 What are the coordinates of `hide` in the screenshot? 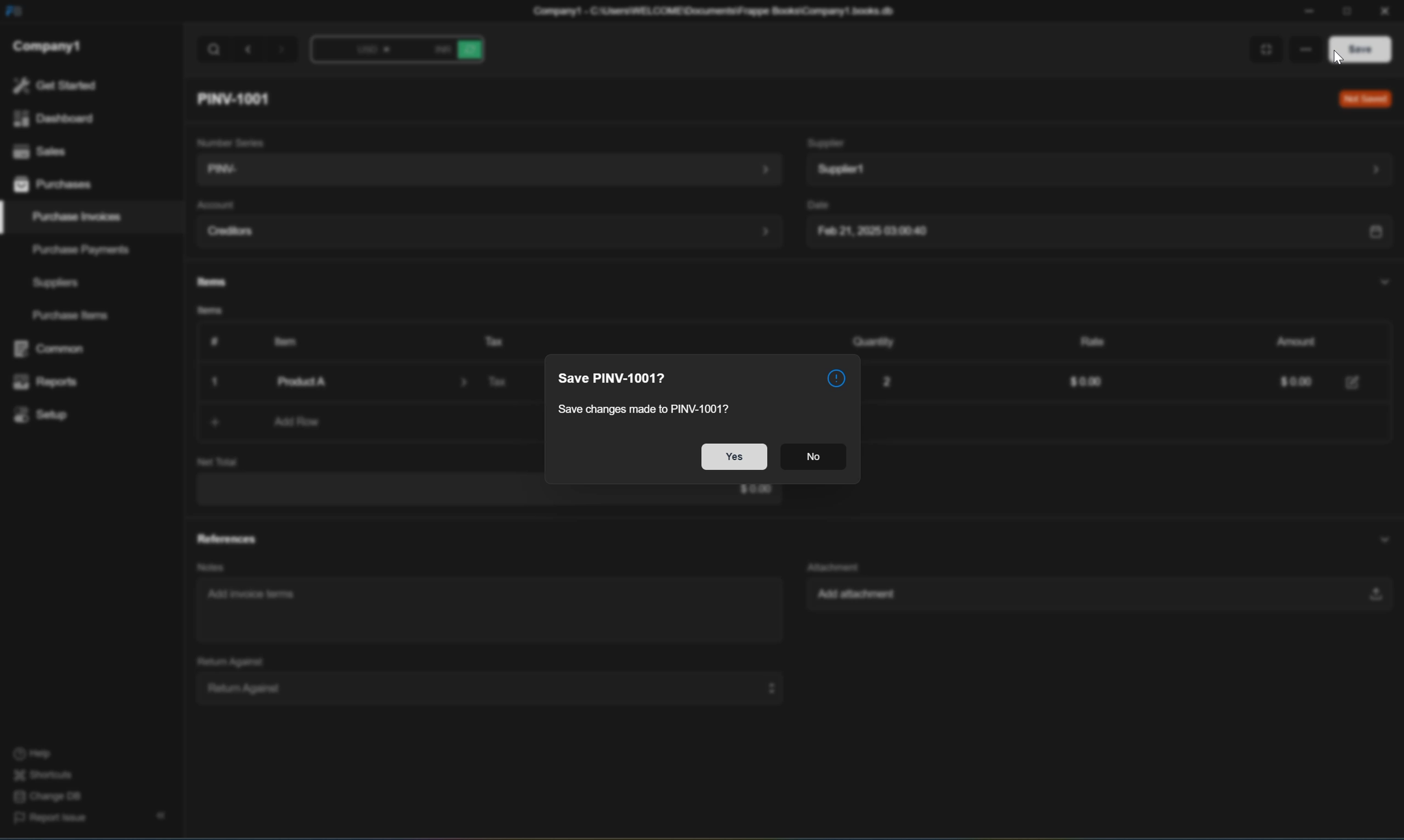 It's located at (158, 816).